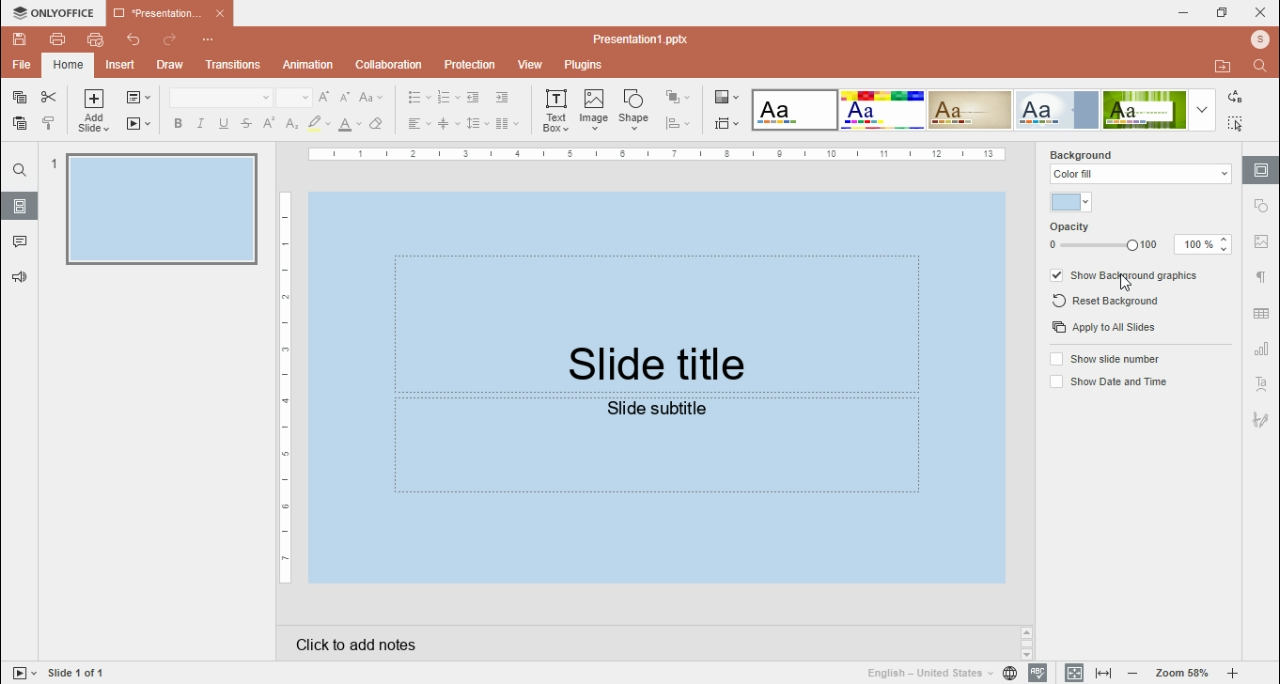 The image size is (1280, 684). What do you see at coordinates (634, 111) in the screenshot?
I see `shape` at bounding box center [634, 111].